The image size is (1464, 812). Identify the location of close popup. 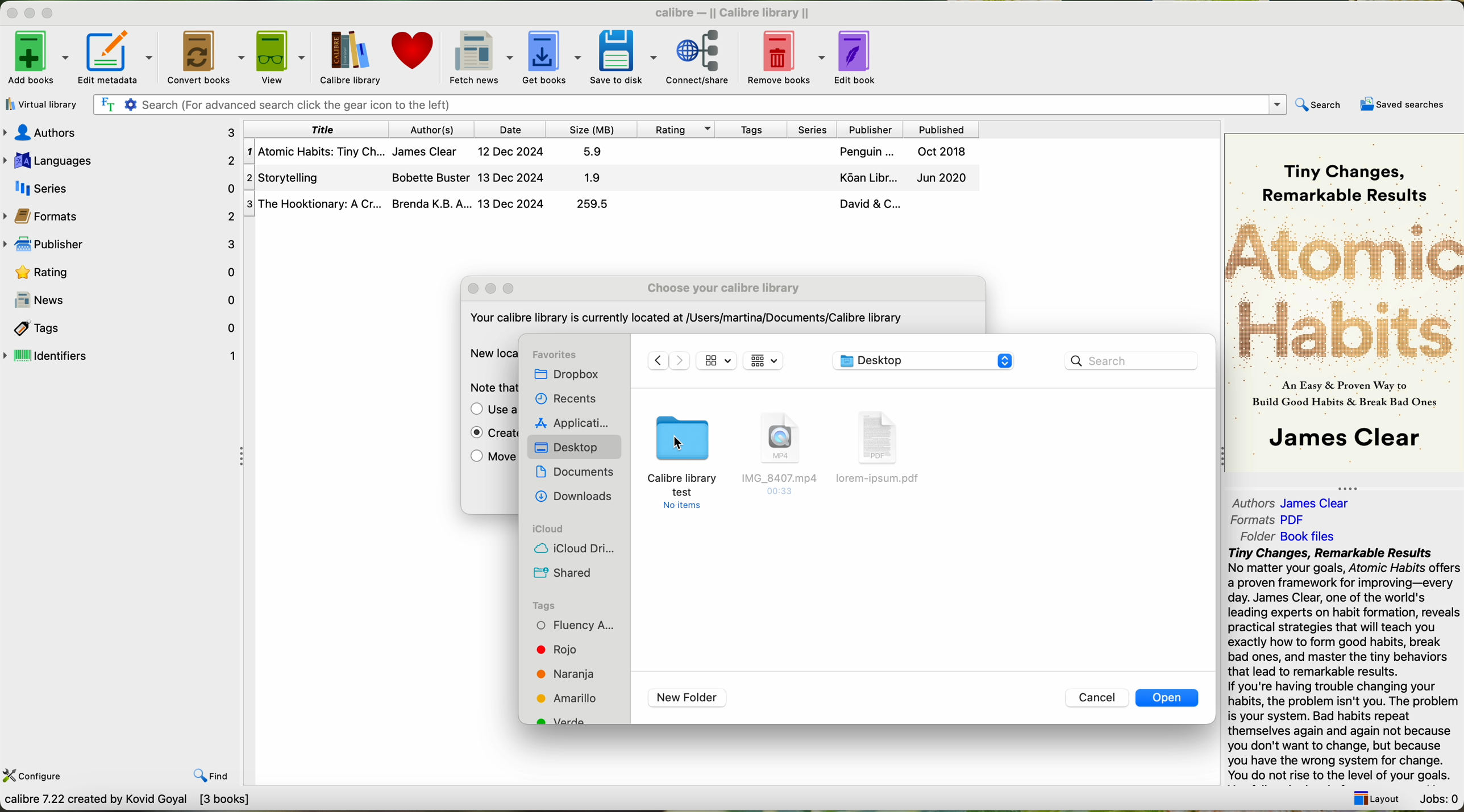
(474, 289).